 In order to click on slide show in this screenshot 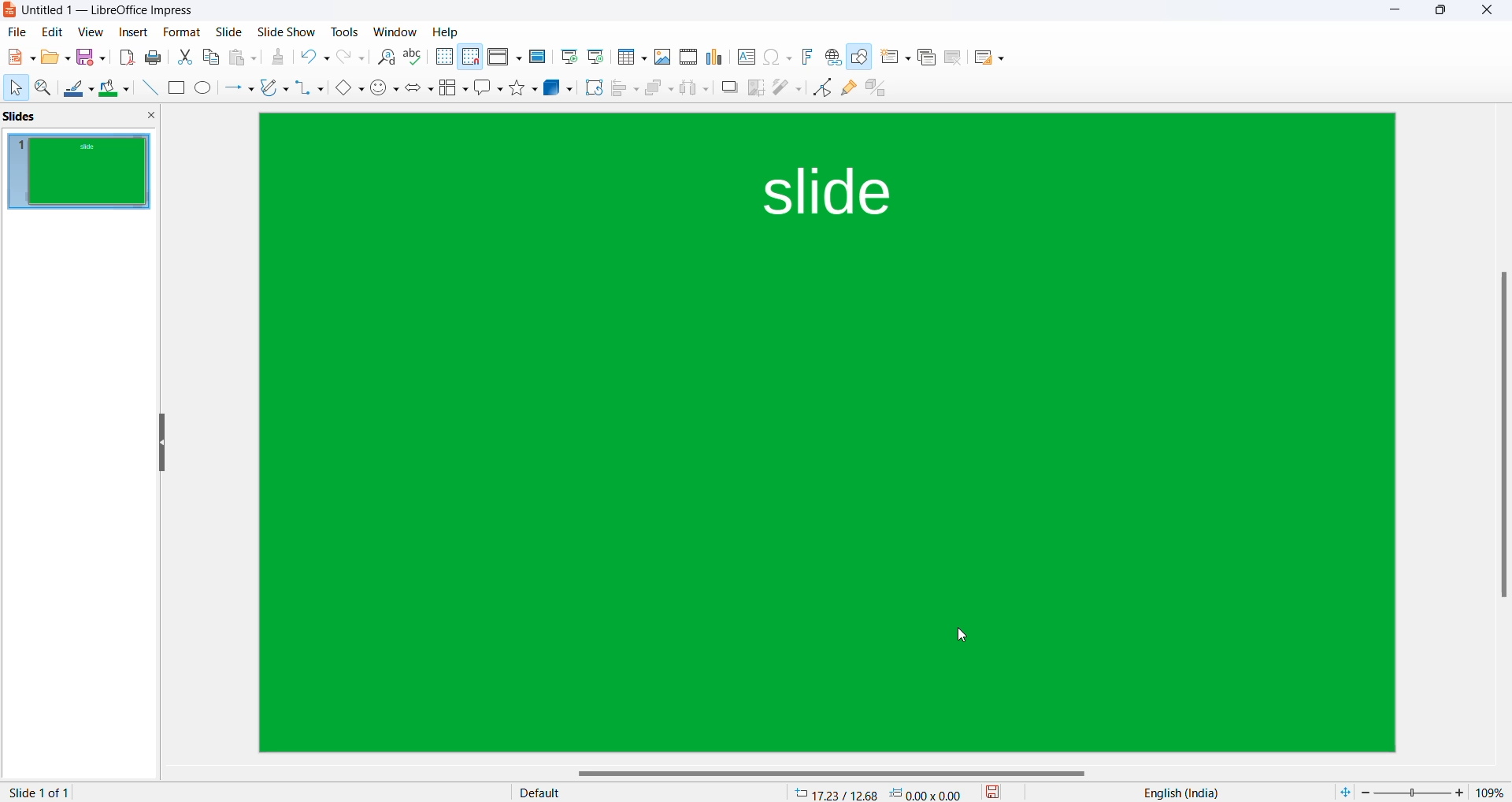, I will do `click(287, 33)`.